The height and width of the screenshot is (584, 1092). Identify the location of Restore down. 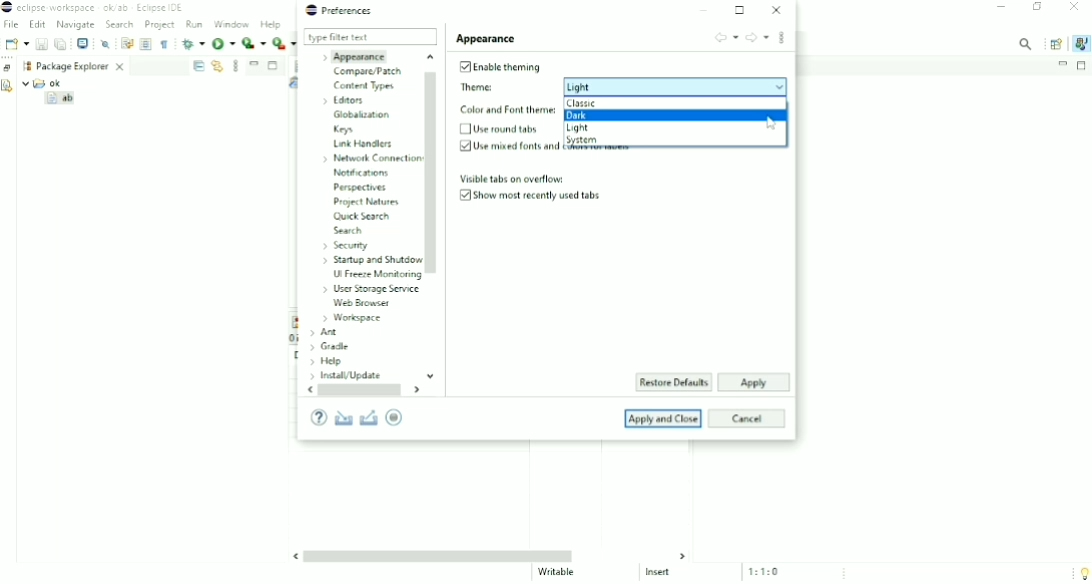
(1039, 8).